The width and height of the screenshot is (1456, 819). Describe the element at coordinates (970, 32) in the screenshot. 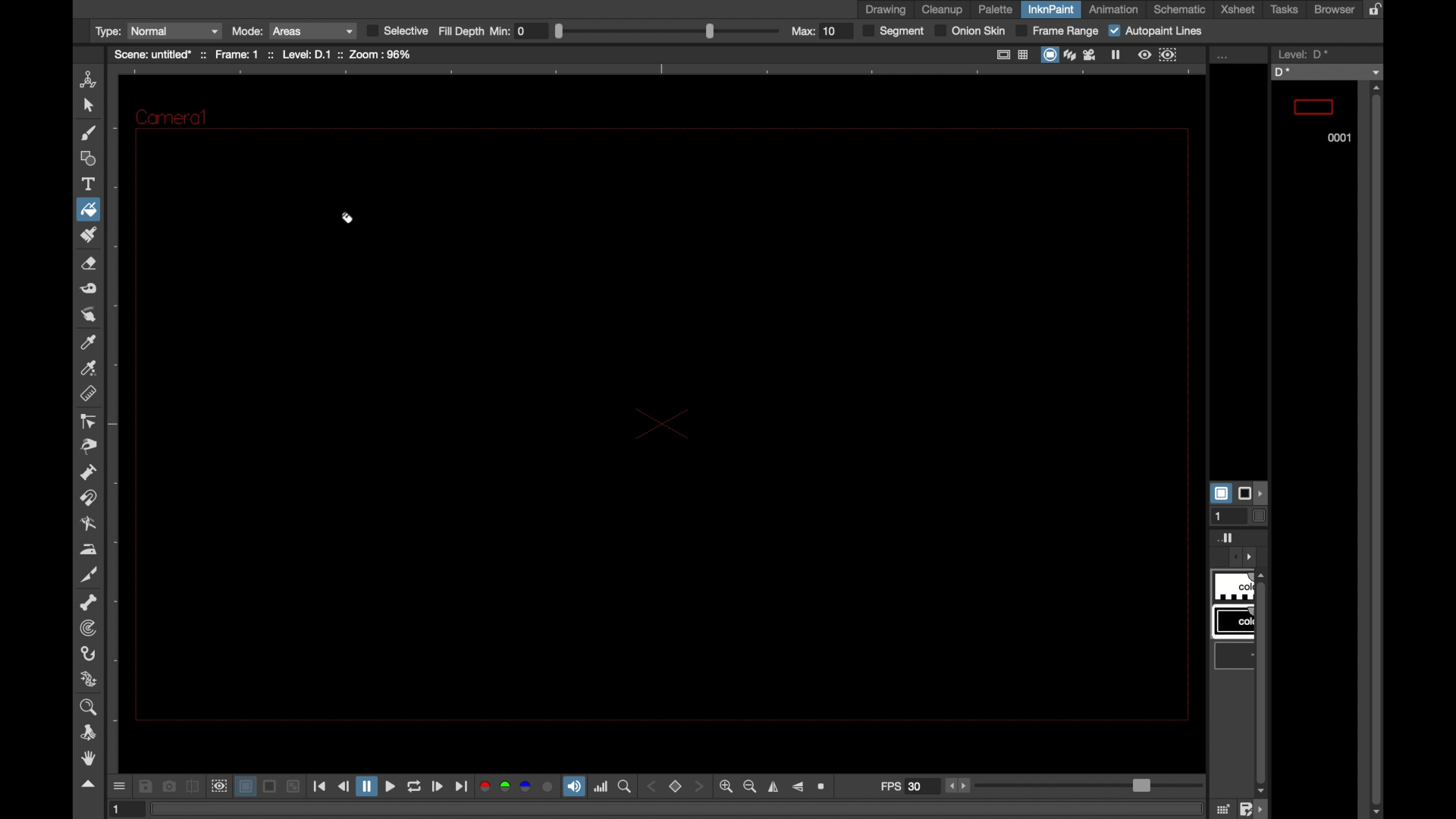

I see `Onion Skin` at that location.